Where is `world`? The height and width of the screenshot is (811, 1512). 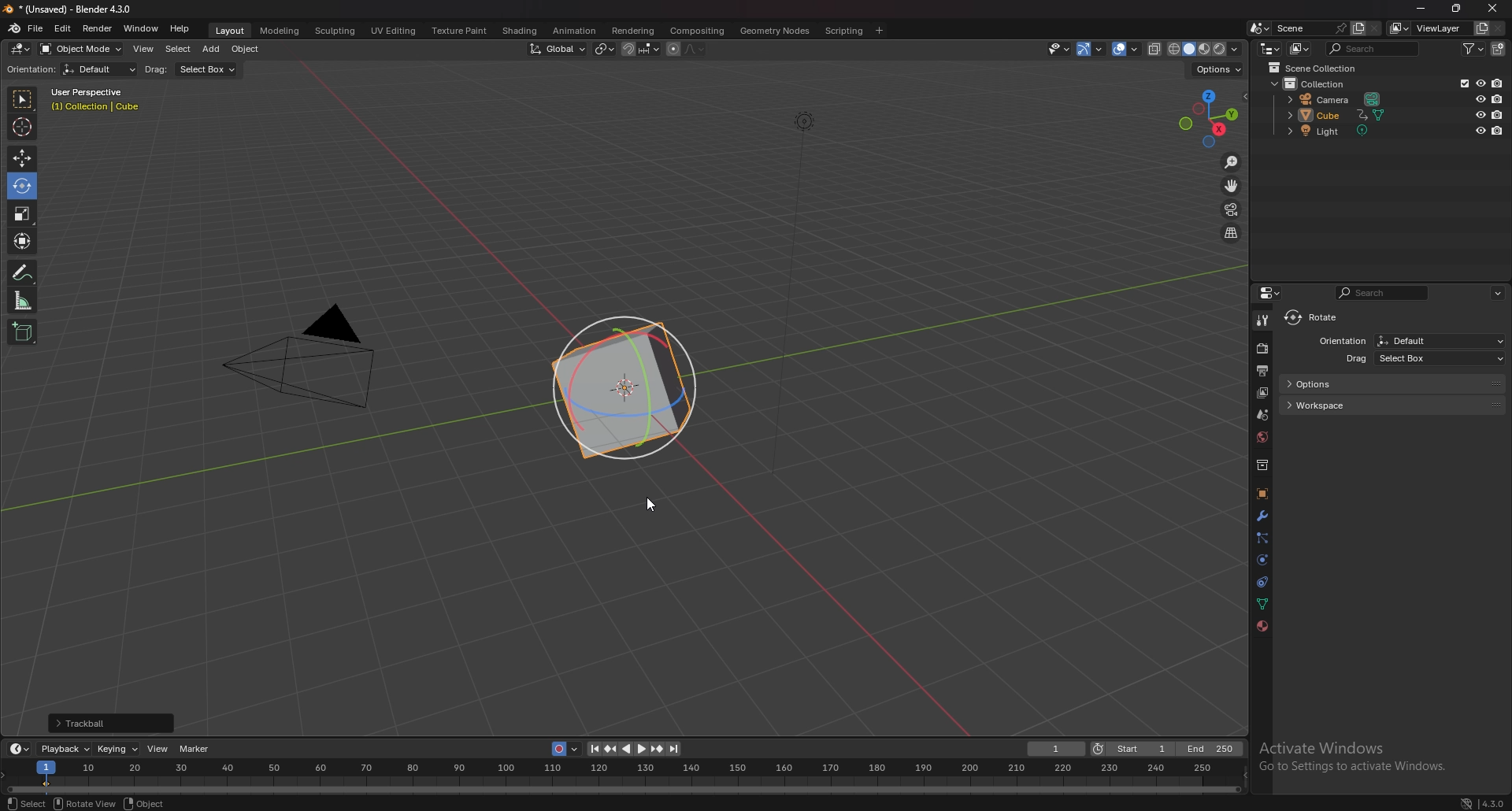
world is located at coordinates (1262, 437).